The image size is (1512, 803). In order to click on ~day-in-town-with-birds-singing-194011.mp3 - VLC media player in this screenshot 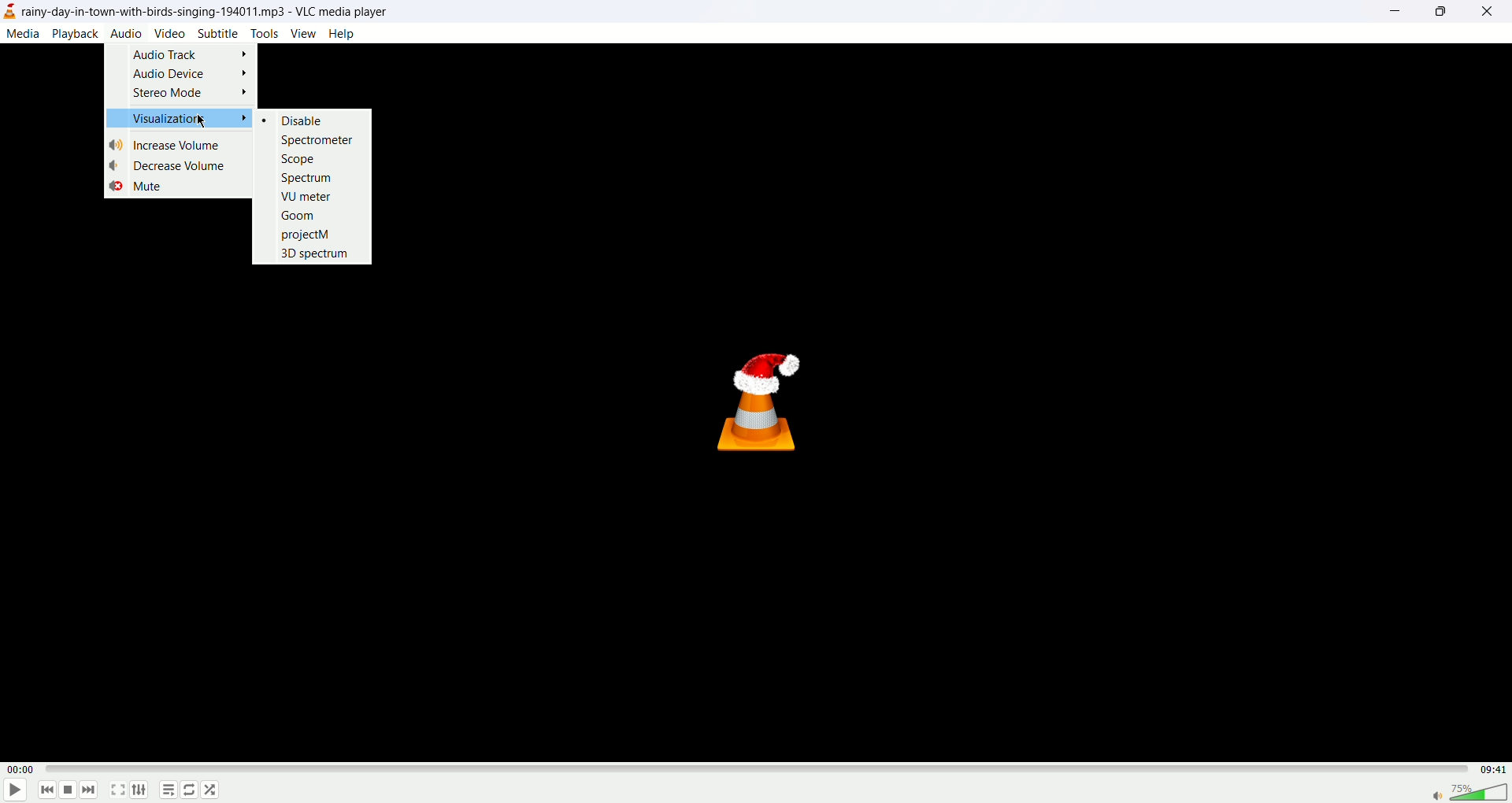, I will do `click(209, 12)`.